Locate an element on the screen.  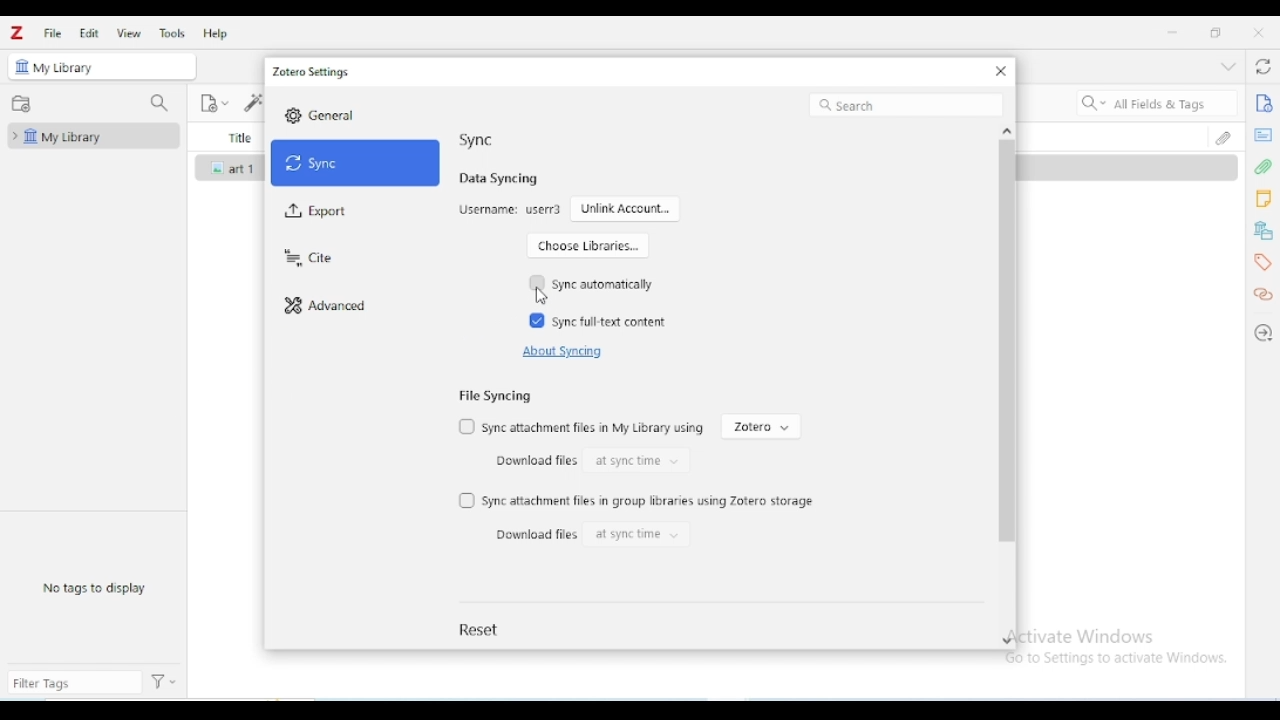
unlink account... is located at coordinates (626, 208).